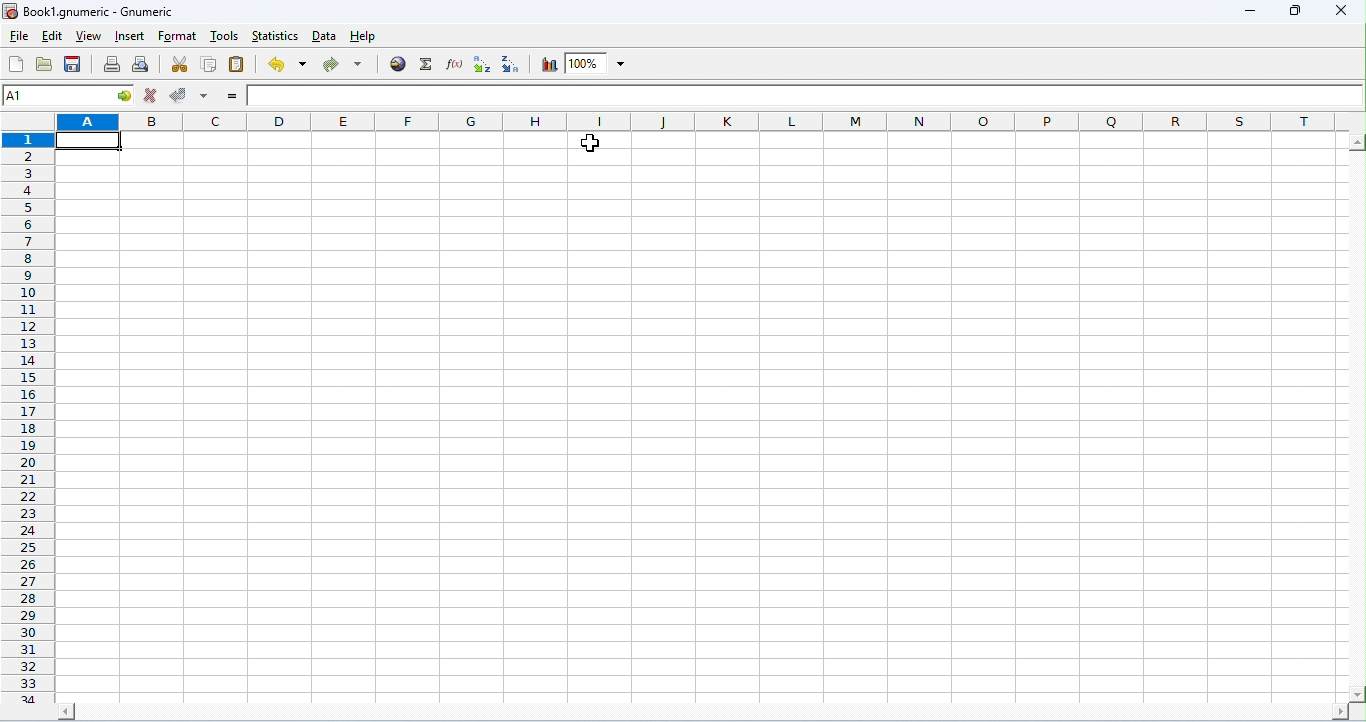  Describe the element at coordinates (44, 63) in the screenshot. I see `open` at that location.